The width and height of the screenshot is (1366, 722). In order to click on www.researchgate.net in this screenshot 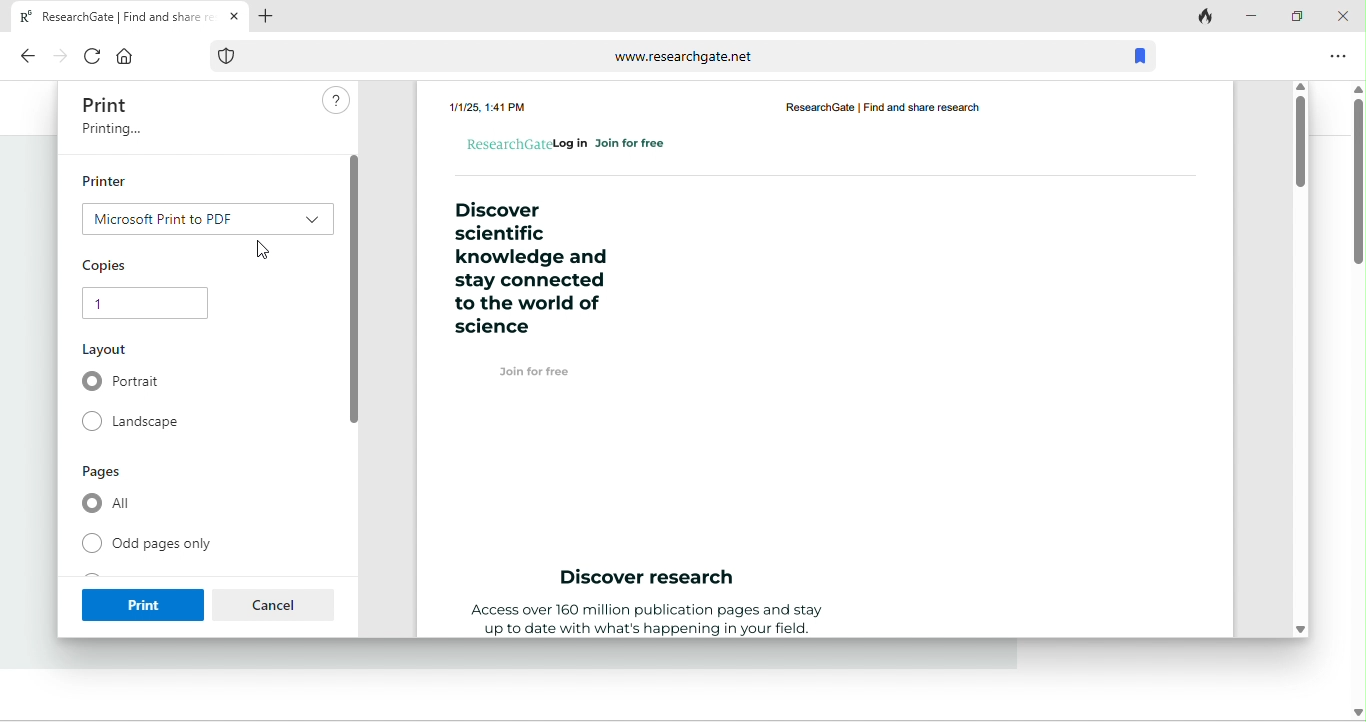, I will do `click(653, 54)`.